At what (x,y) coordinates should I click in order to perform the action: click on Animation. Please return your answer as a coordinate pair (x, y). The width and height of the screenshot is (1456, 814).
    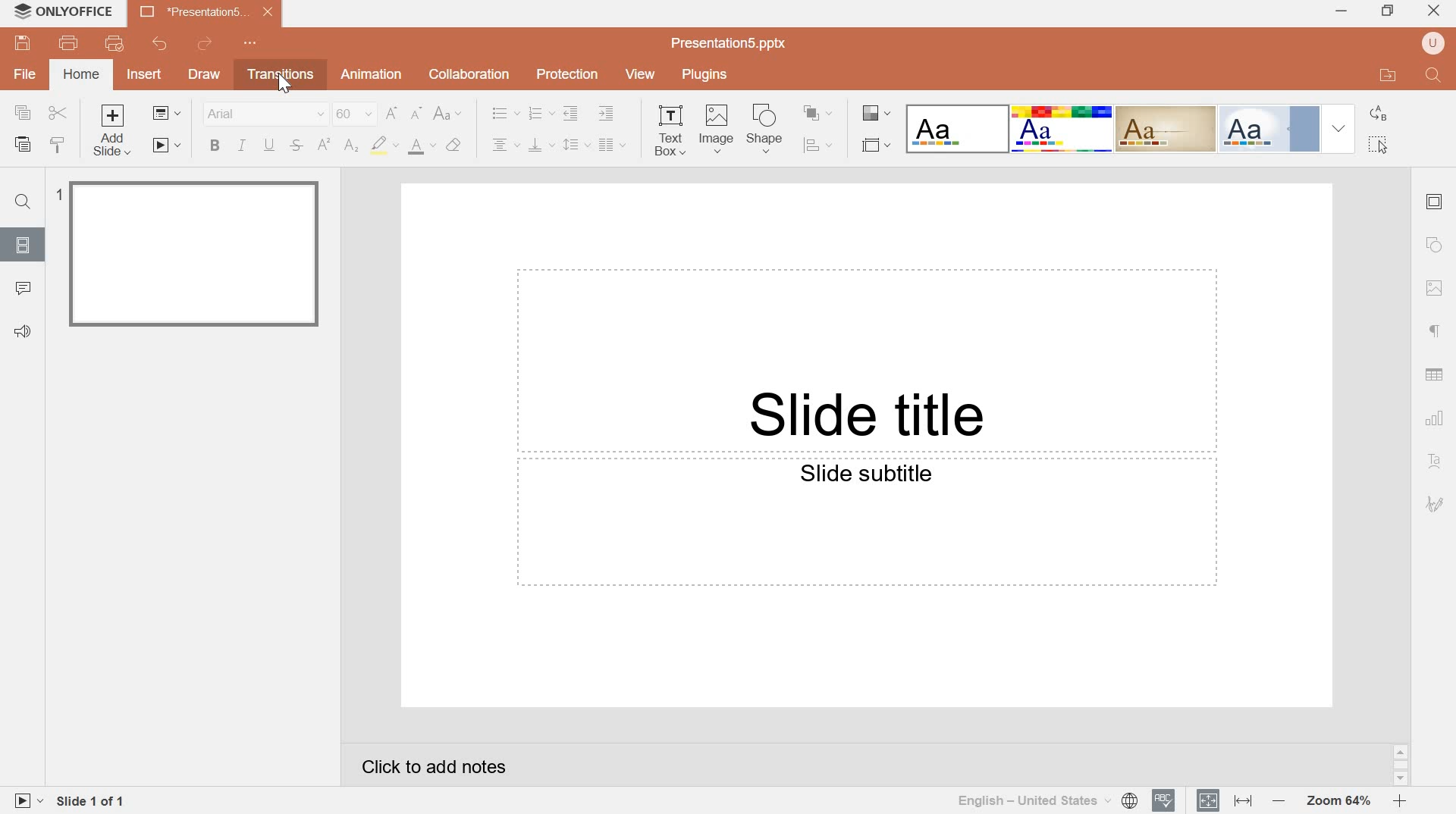
    Looking at the image, I should click on (372, 74).